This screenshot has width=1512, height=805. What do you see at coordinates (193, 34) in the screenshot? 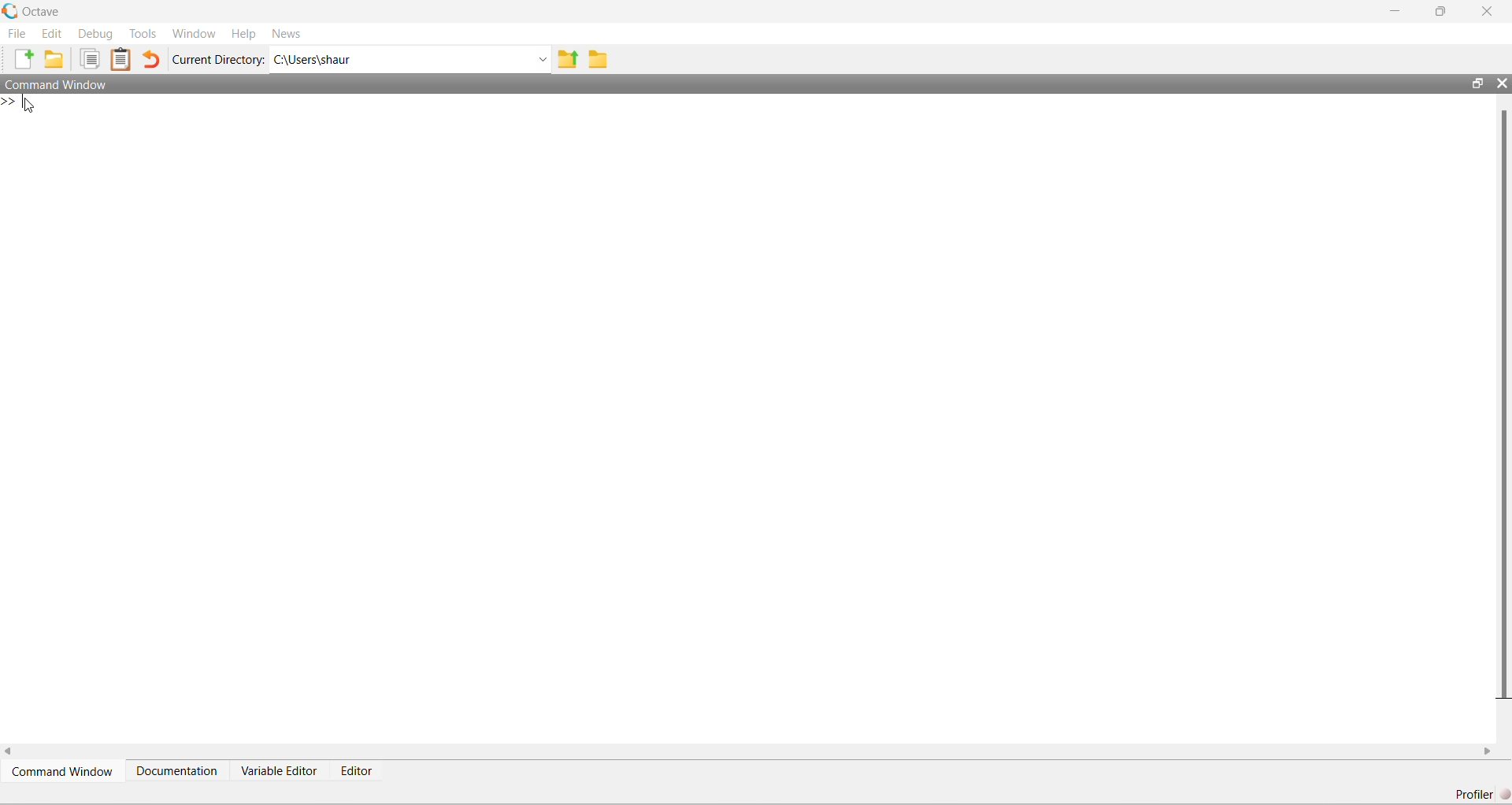
I see `Window` at bounding box center [193, 34].